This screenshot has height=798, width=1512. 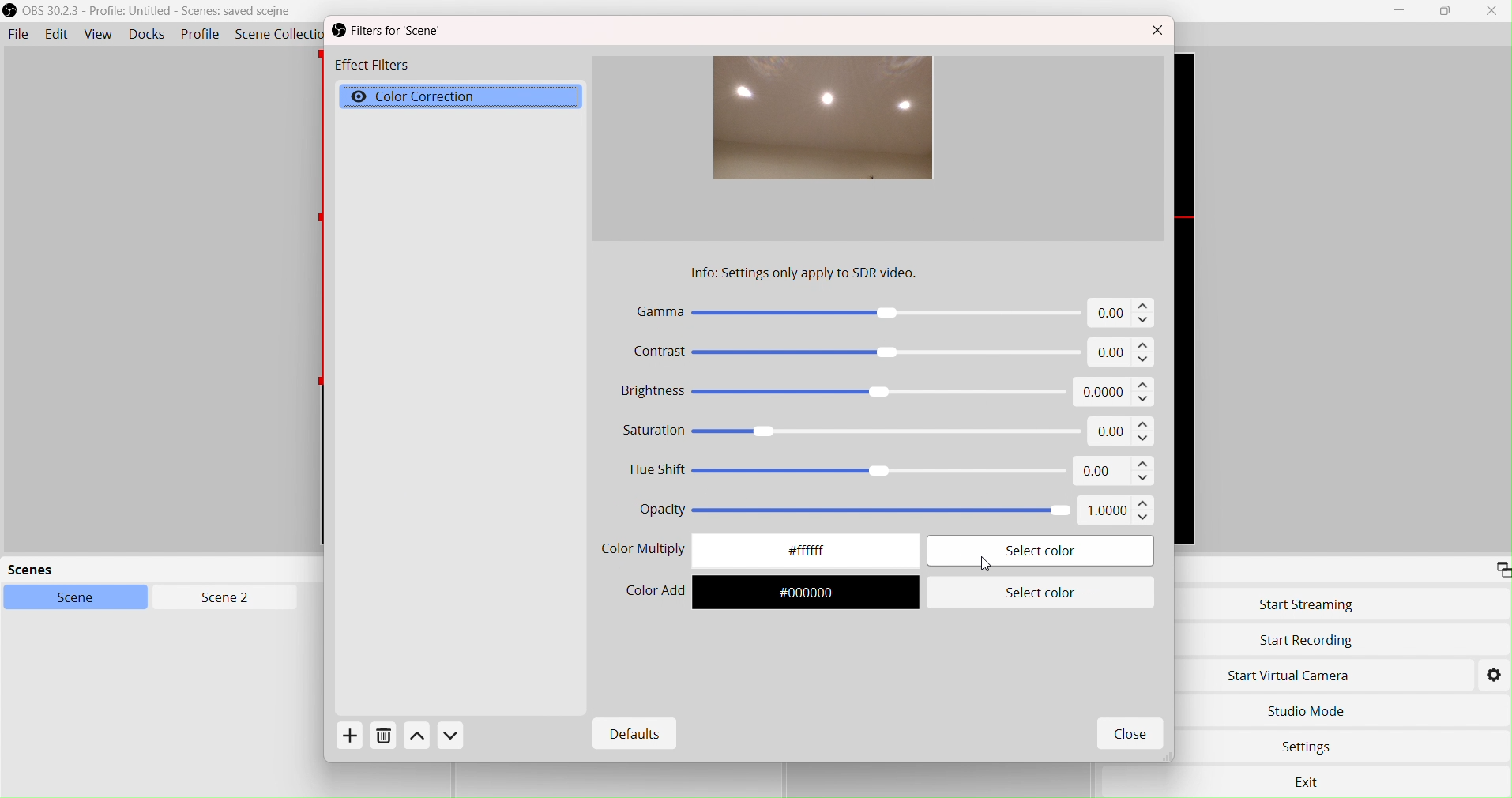 What do you see at coordinates (1128, 736) in the screenshot?
I see `Close` at bounding box center [1128, 736].